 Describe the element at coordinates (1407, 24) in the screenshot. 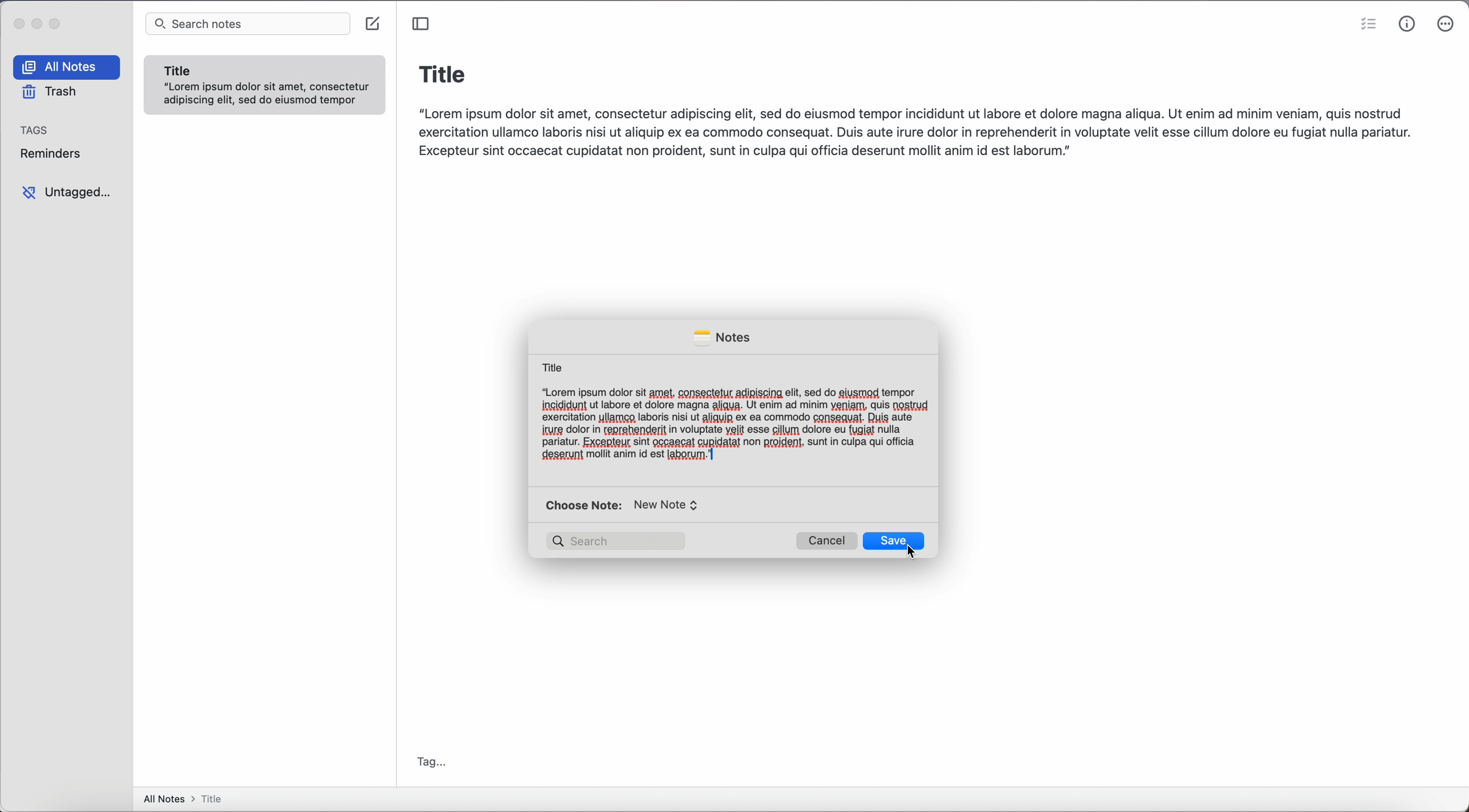

I see `metrics` at that location.